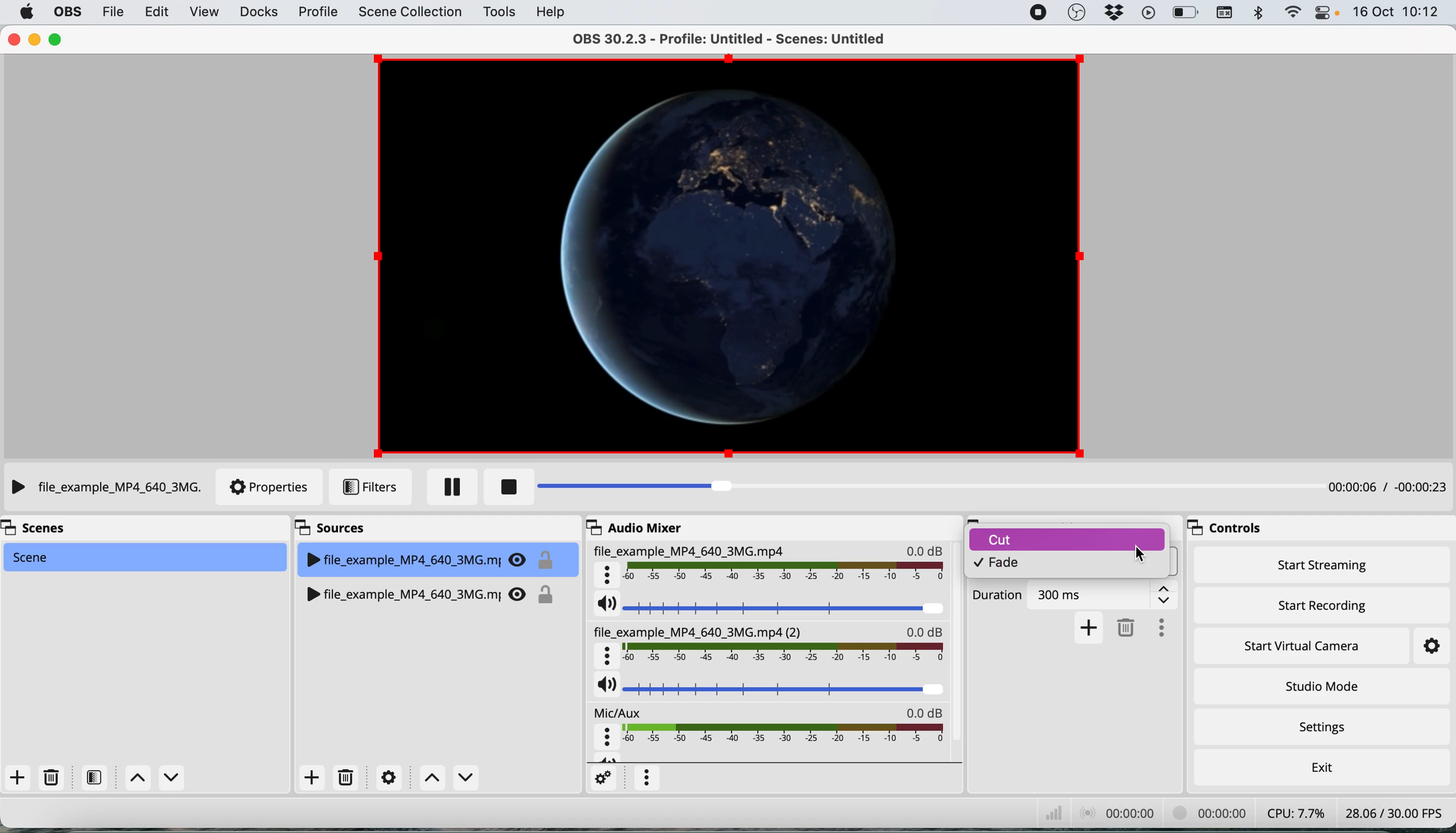 The height and width of the screenshot is (833, 1456). Describe the element at coordinates (1151, 14) in the screenshot. I see `playback` at that location.